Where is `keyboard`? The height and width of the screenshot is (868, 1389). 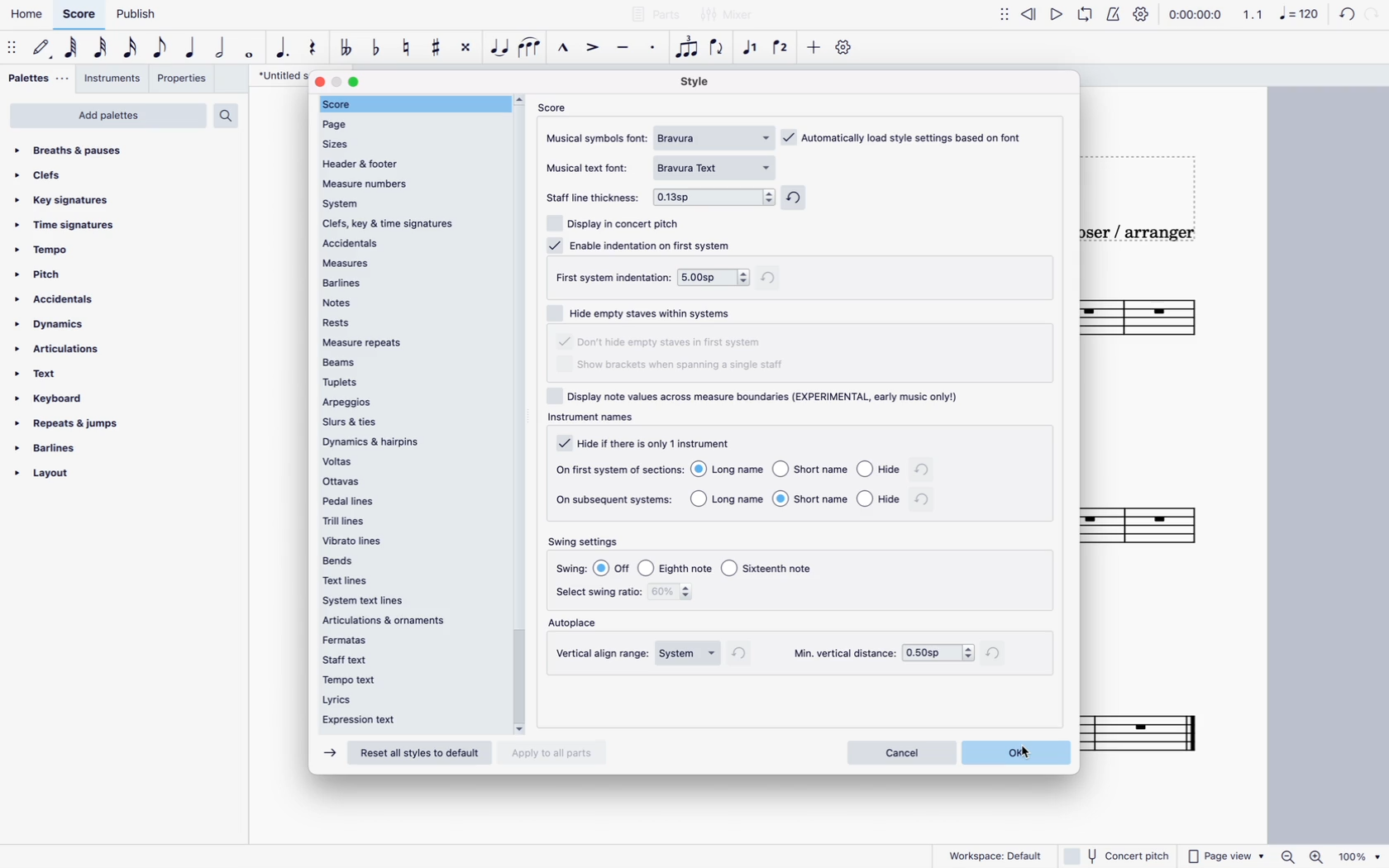 keyboard is located at coordinates (56, 398).